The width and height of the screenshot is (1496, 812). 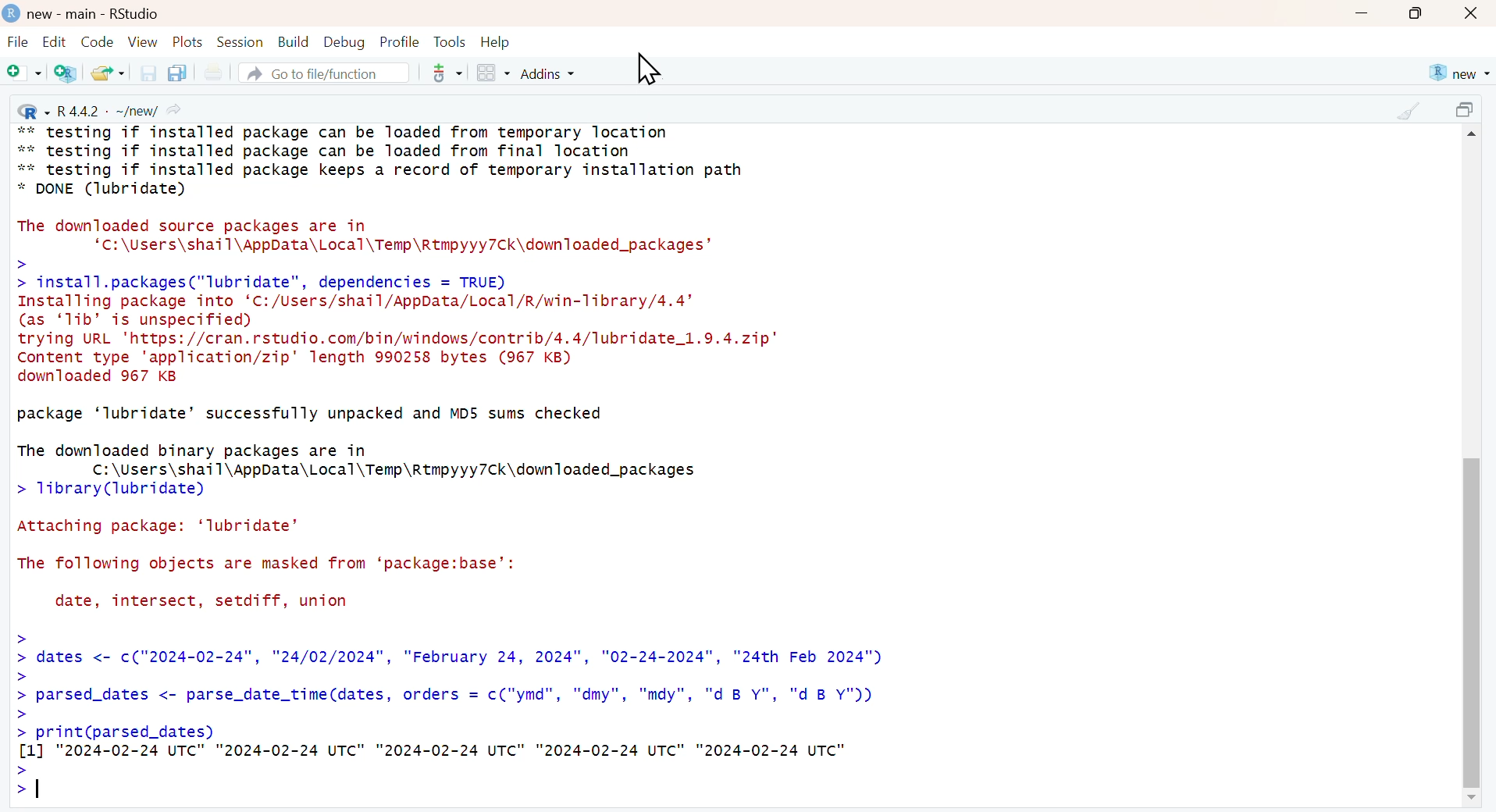 I want to click on new - main - RStudio, so click(x=95, y=14).